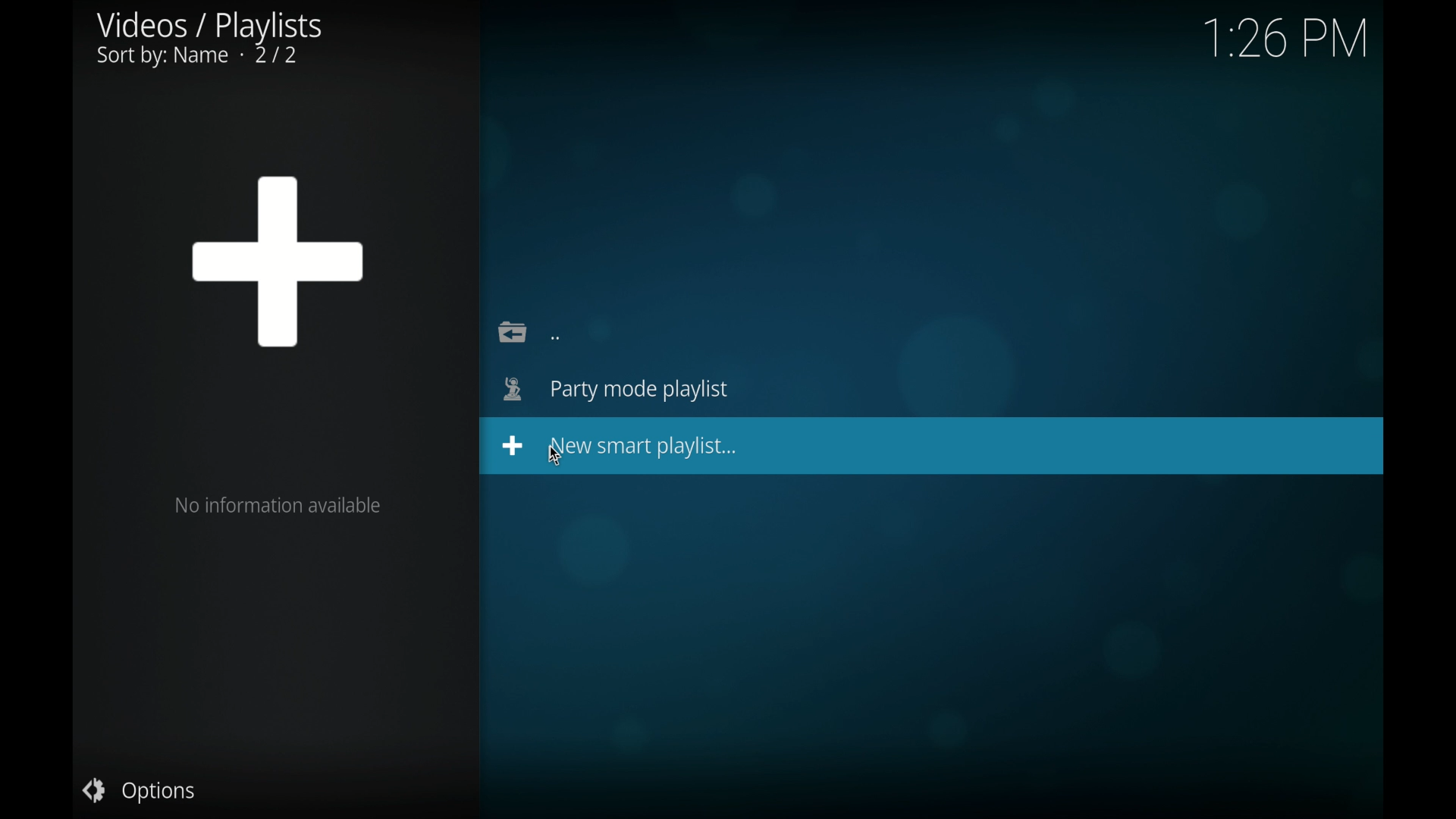 This screenshot has width=1456, height=819. I want to click on back, so click(529, 331).